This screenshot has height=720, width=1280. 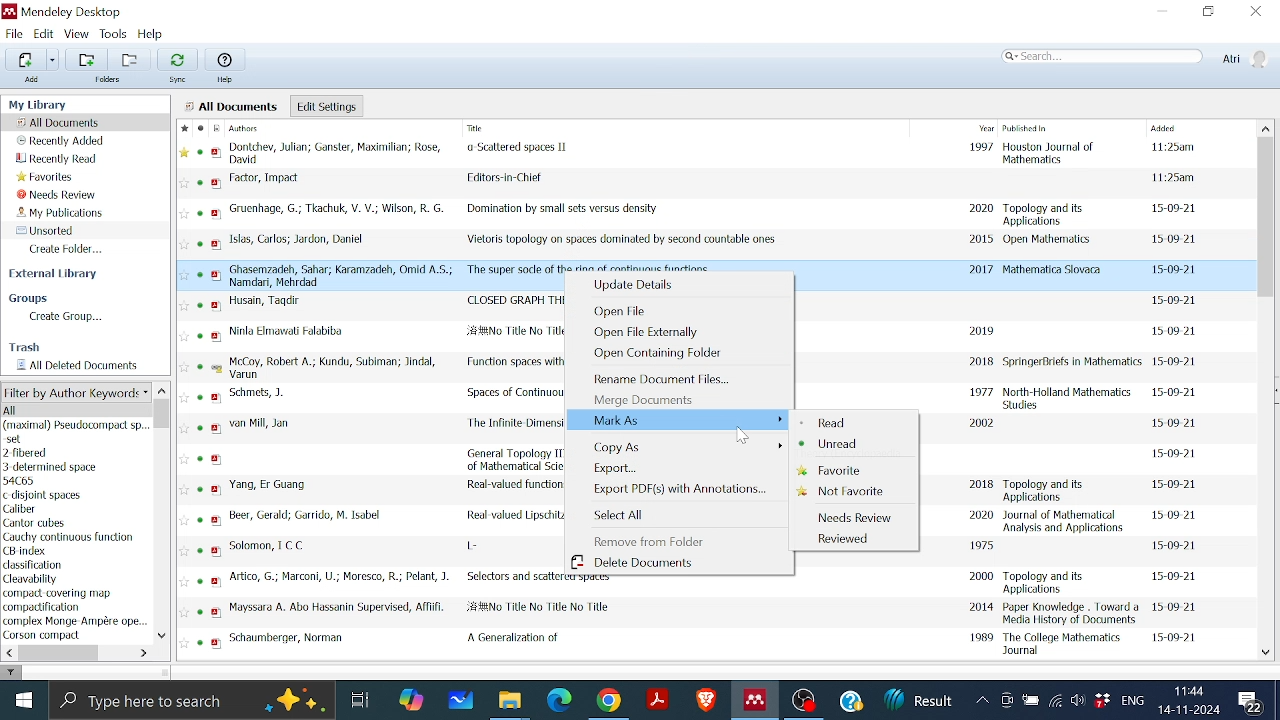 I want to click on Cauchy continuous function, so click(x=68, y=538).